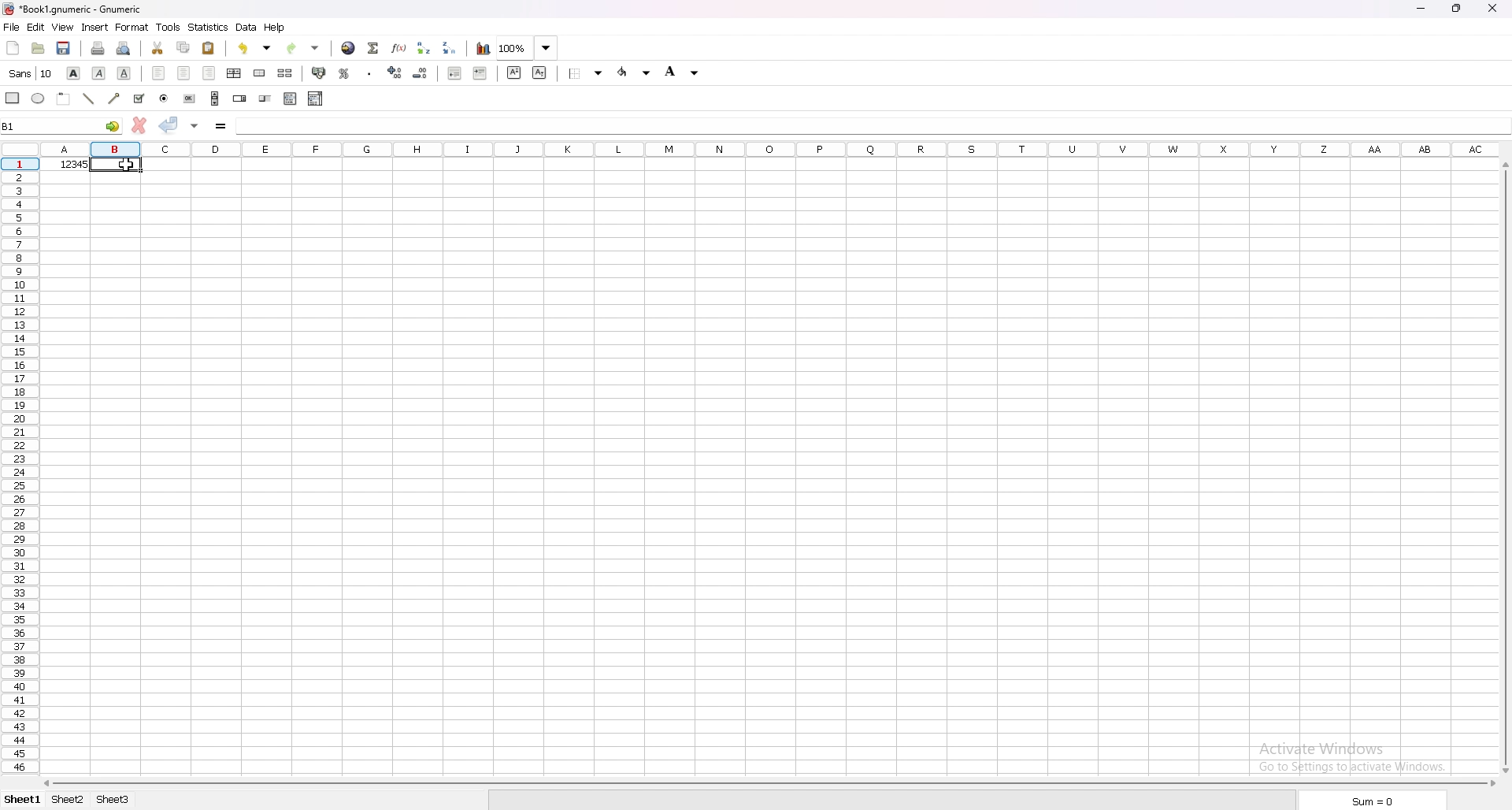 The width and height of the screenshot is (1512, 810). I want to click on rectangle, so click(13, 98).